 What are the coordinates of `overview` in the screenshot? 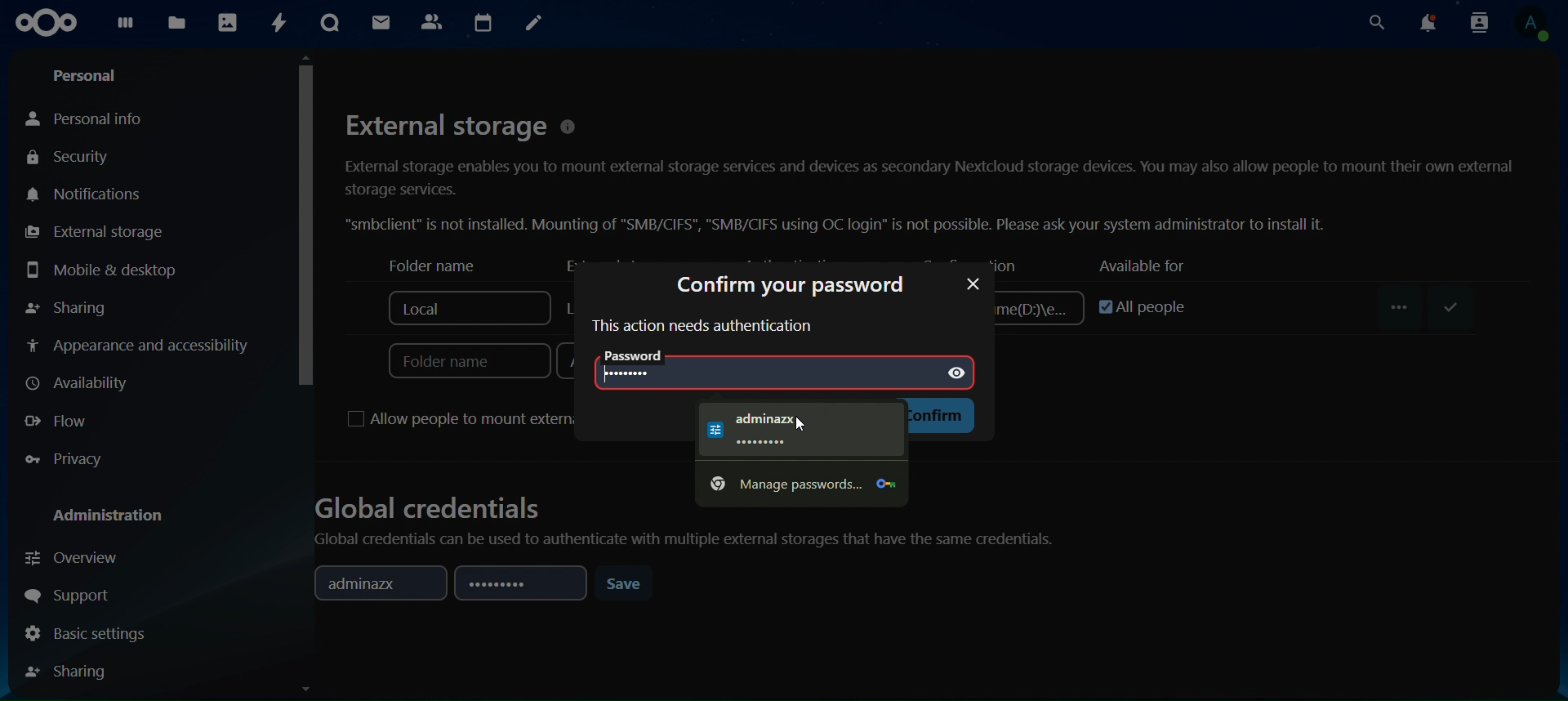 It's located at (78, 560).